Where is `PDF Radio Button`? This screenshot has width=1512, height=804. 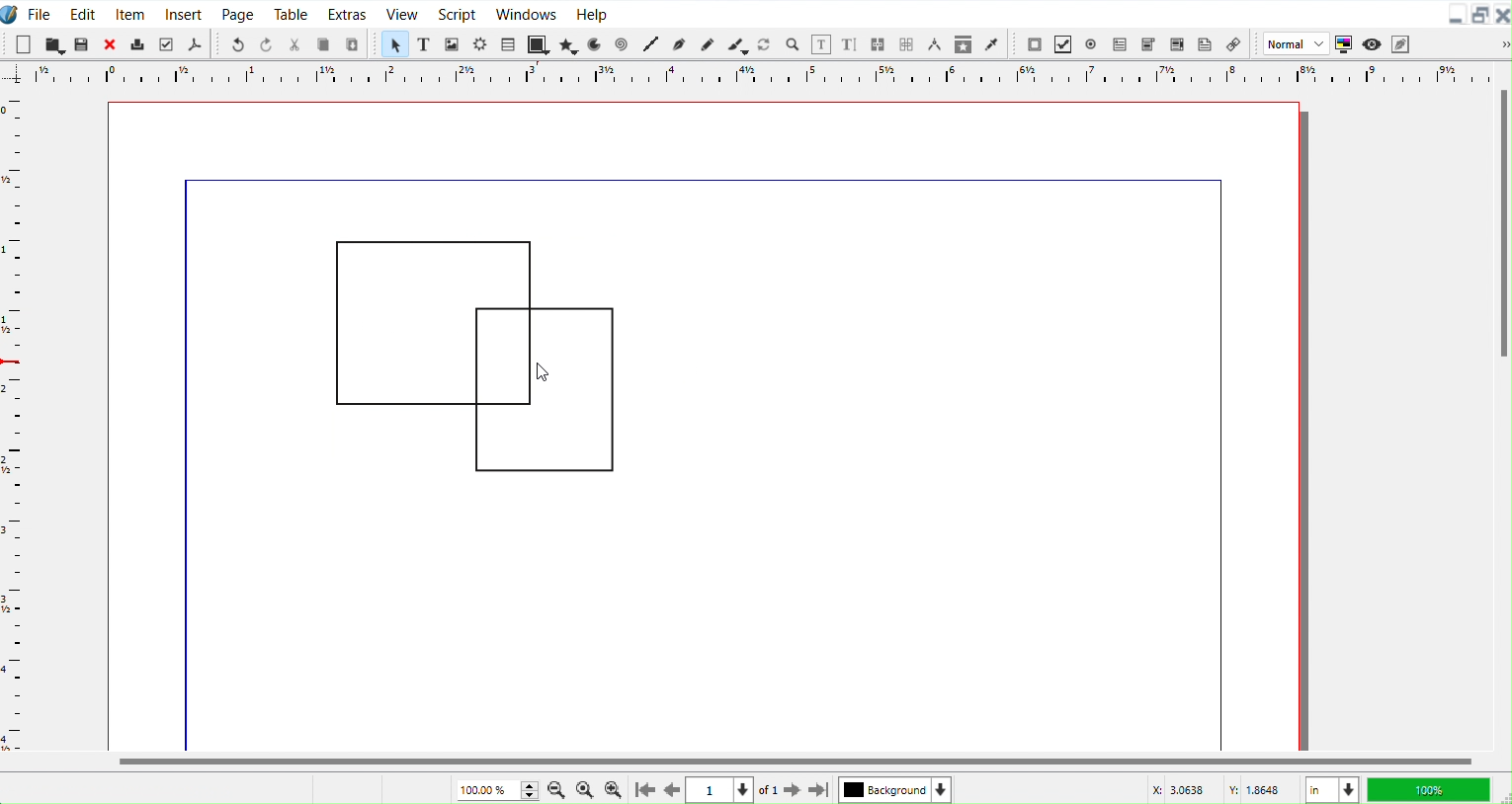
PDF Radio Button is located at coordinates (1091, 43).